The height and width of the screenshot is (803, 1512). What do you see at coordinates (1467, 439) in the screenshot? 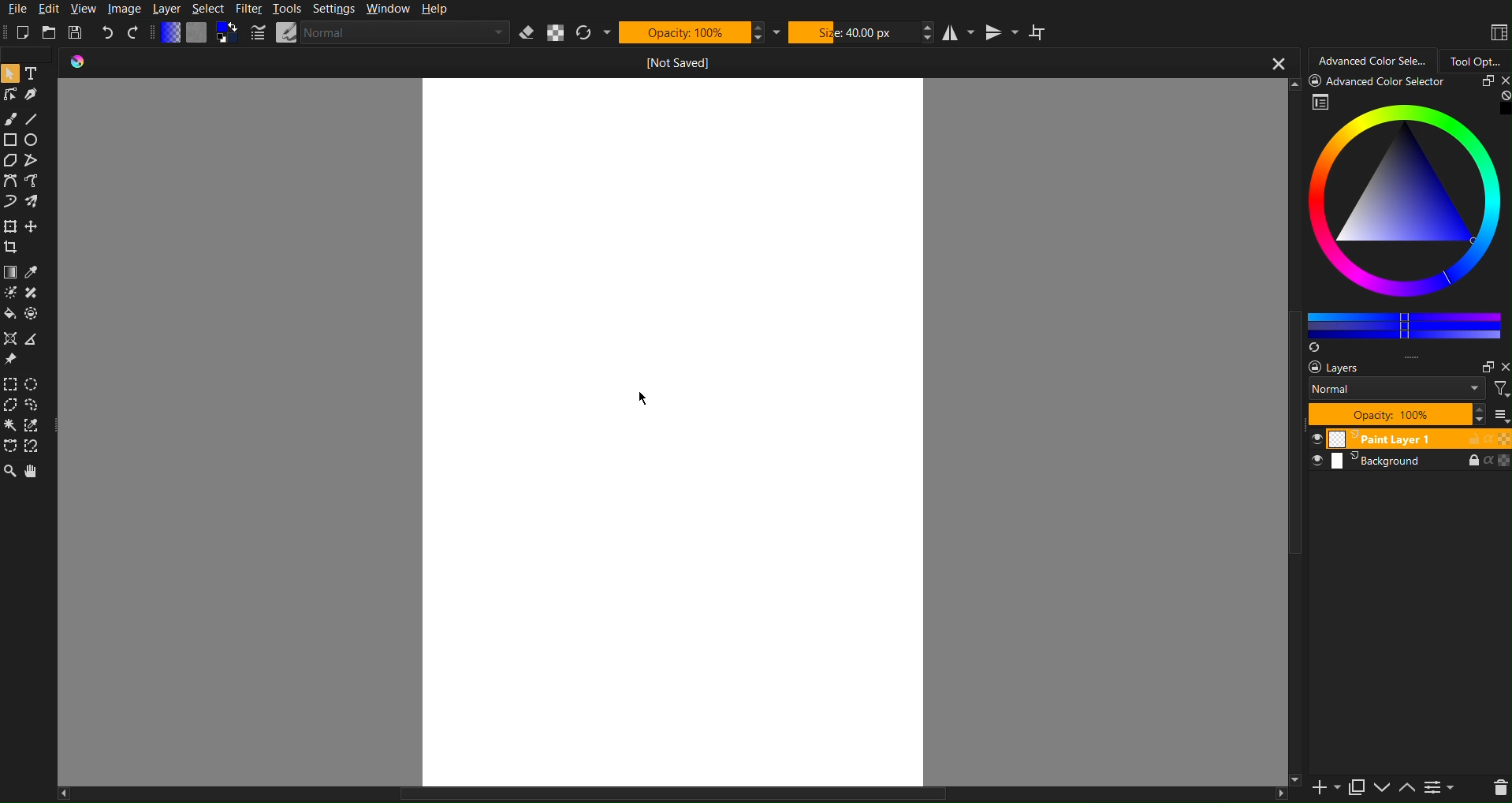
I see `lock` at bounding box center [1467, 439].